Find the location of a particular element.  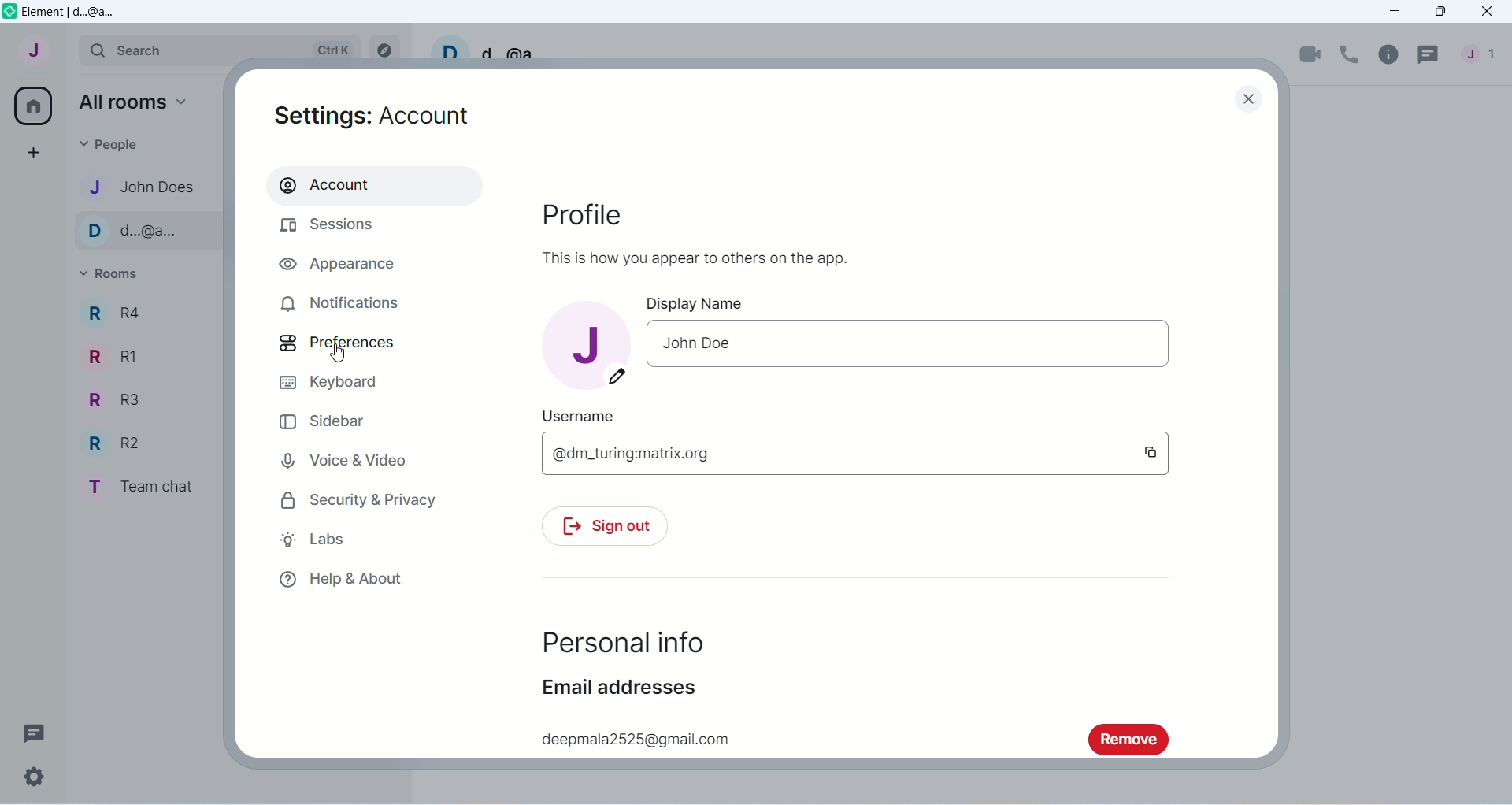

Minimize is located at coordinates (1397, 11).